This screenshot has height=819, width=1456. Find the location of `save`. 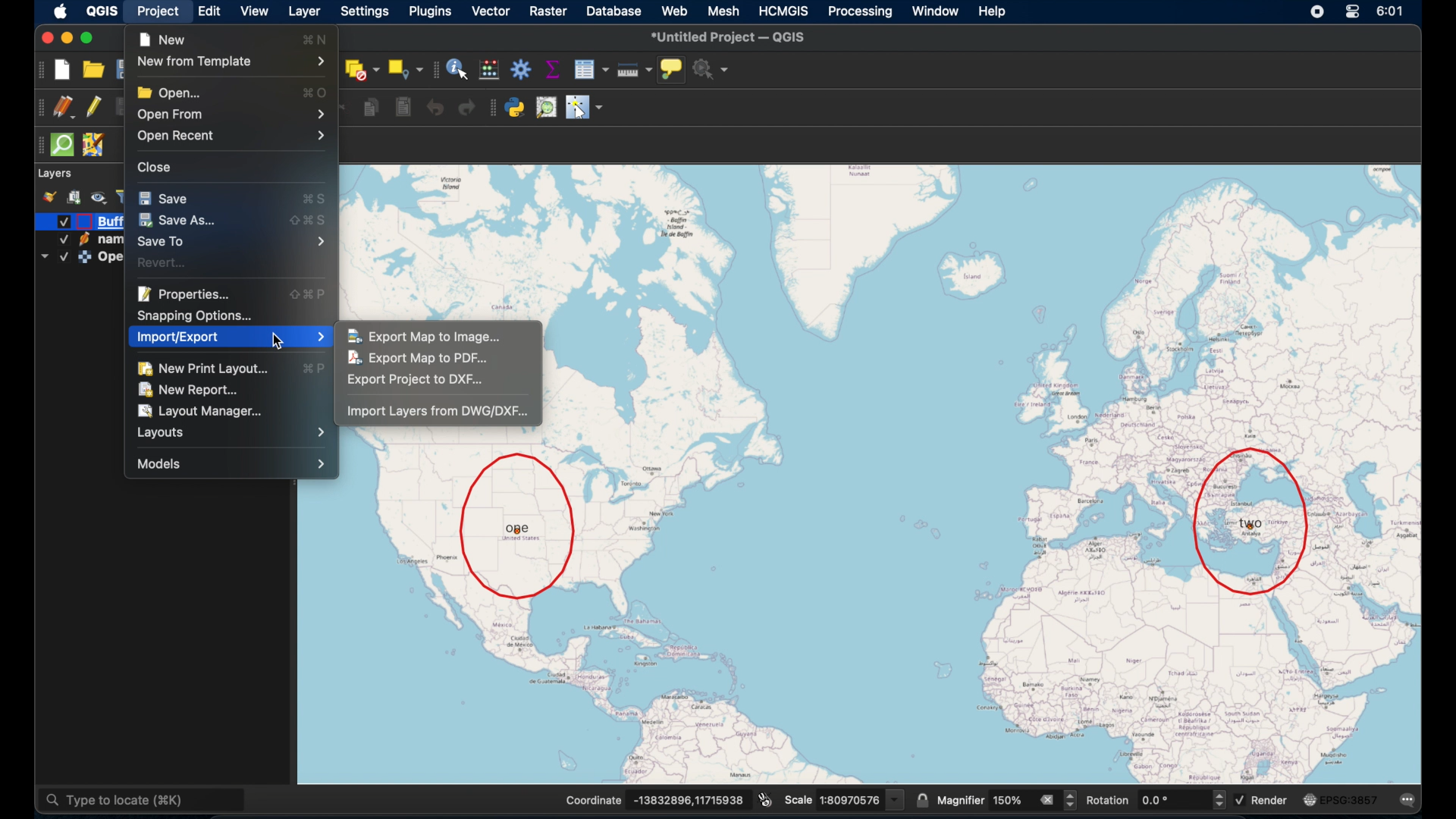

save is located at coordinates (163, 197).